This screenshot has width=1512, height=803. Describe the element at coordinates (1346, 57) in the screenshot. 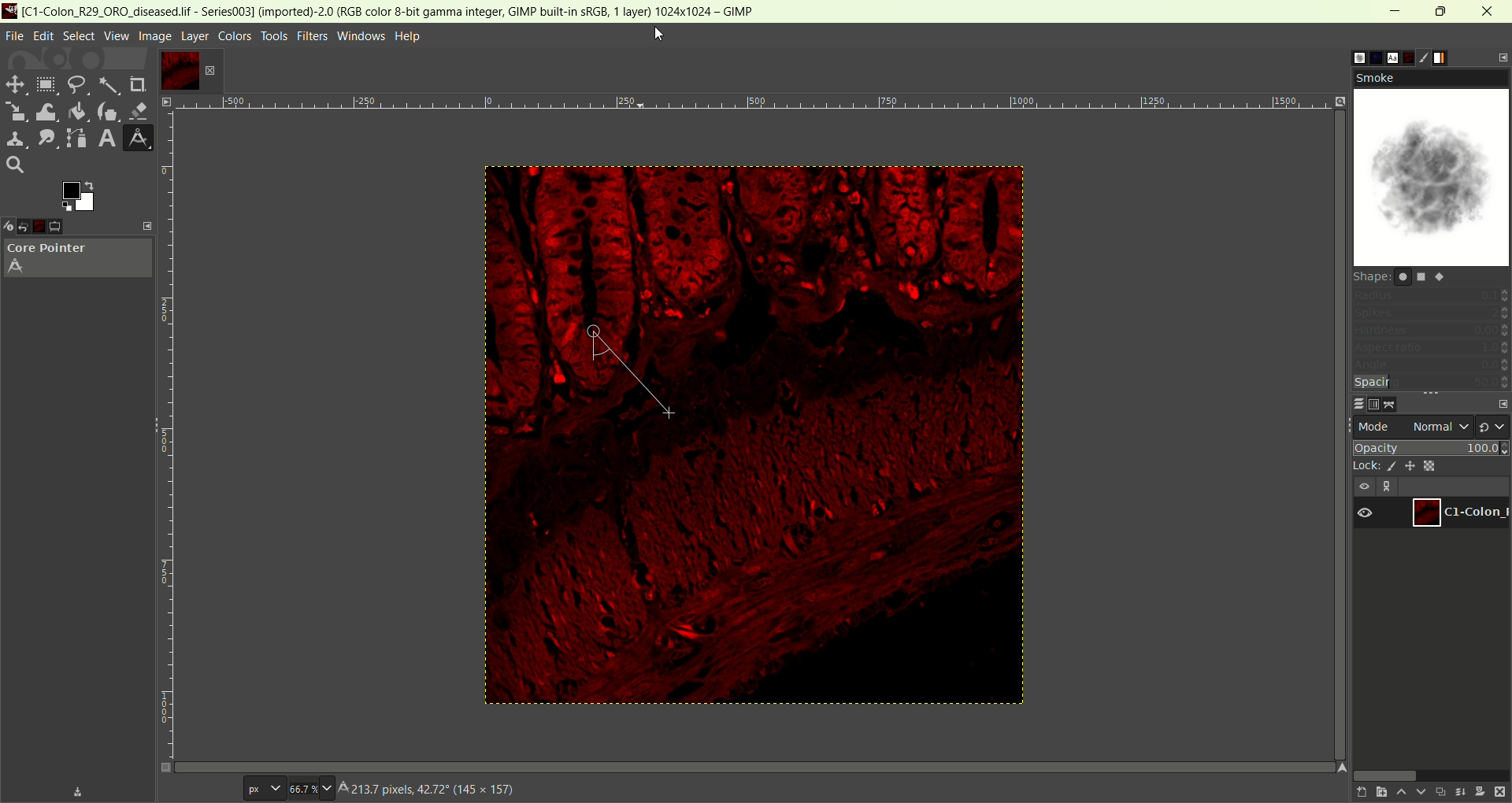

I see `brush` at that location.